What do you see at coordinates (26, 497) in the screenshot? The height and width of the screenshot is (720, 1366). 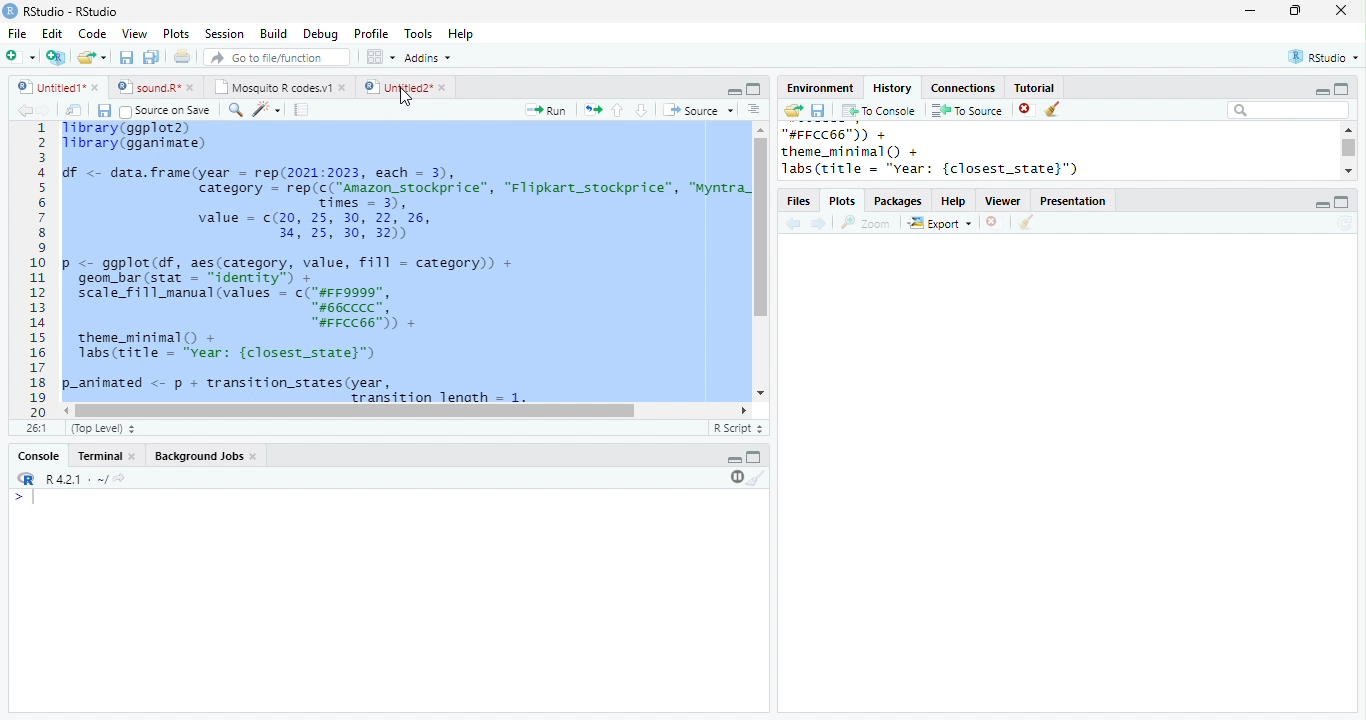 I see `start typing` at bounding box center [26, 497].